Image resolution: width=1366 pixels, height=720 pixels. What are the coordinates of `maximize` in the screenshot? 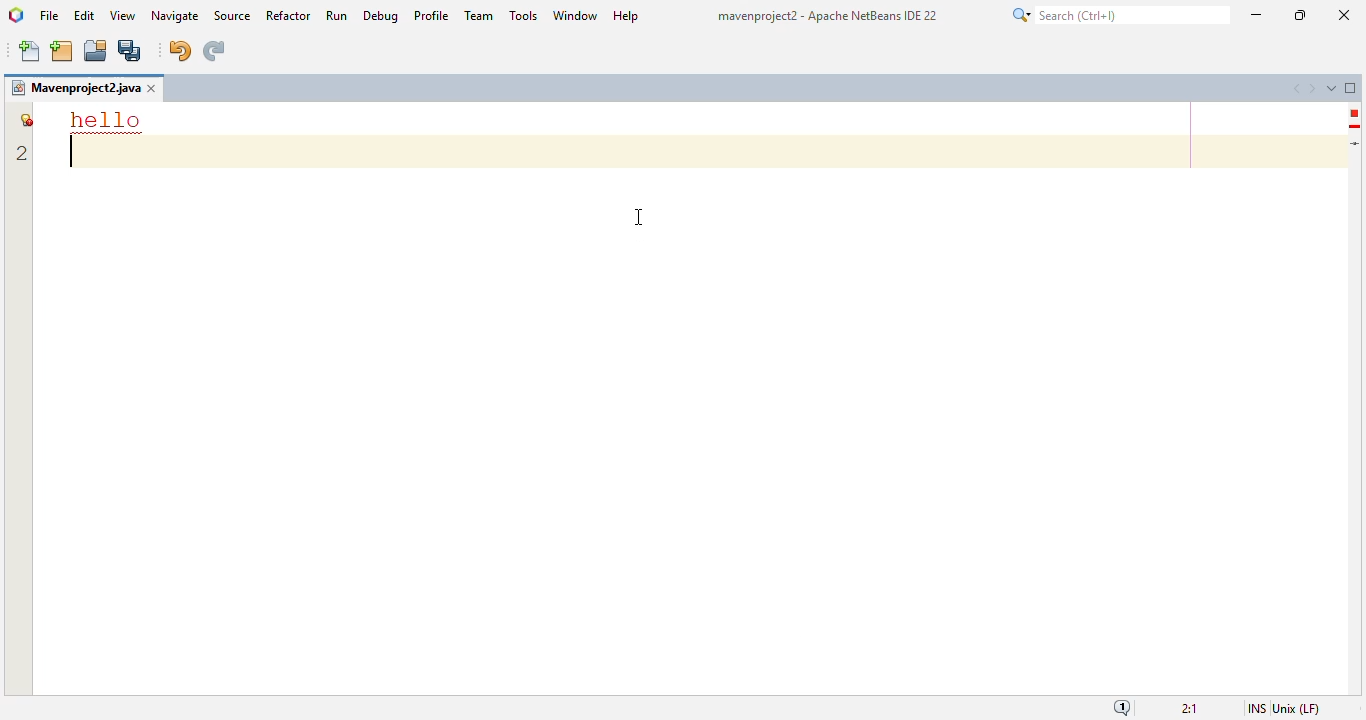 It's located at (1299, 15).